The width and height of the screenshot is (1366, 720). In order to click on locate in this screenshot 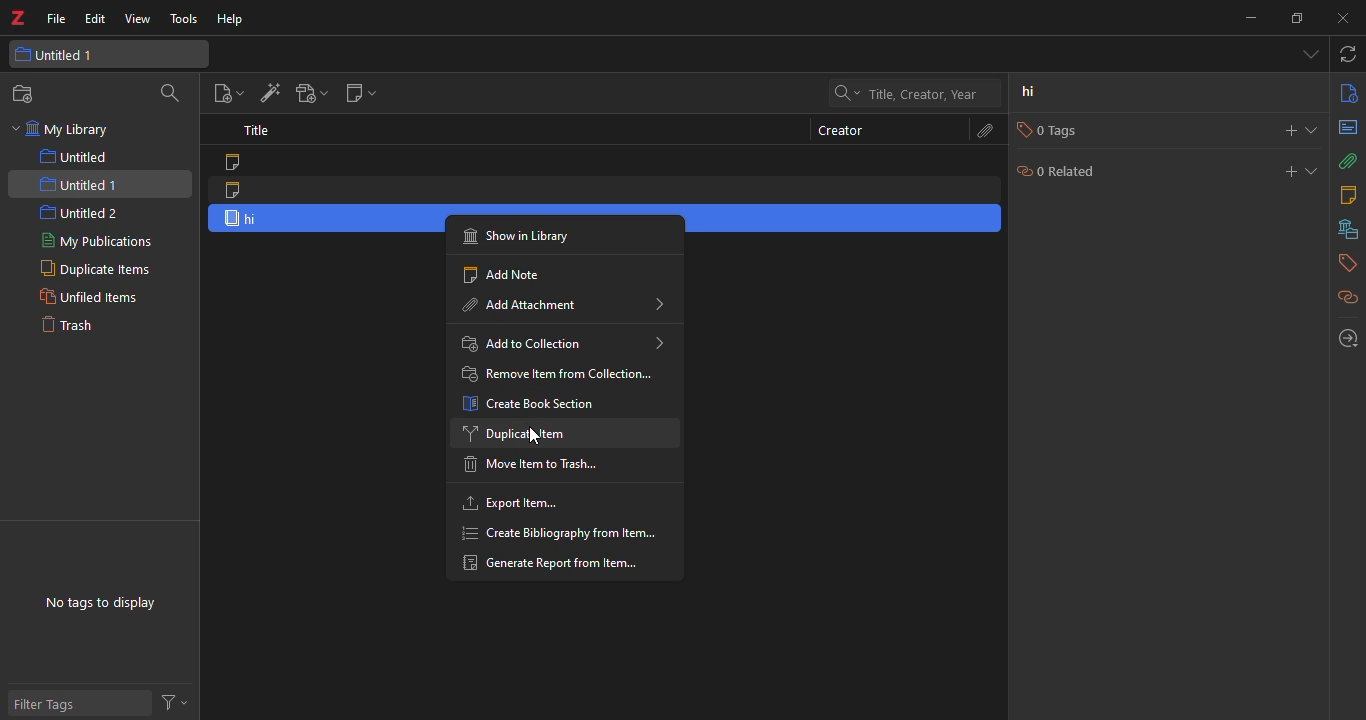, I will do `click(1343, 337)`.